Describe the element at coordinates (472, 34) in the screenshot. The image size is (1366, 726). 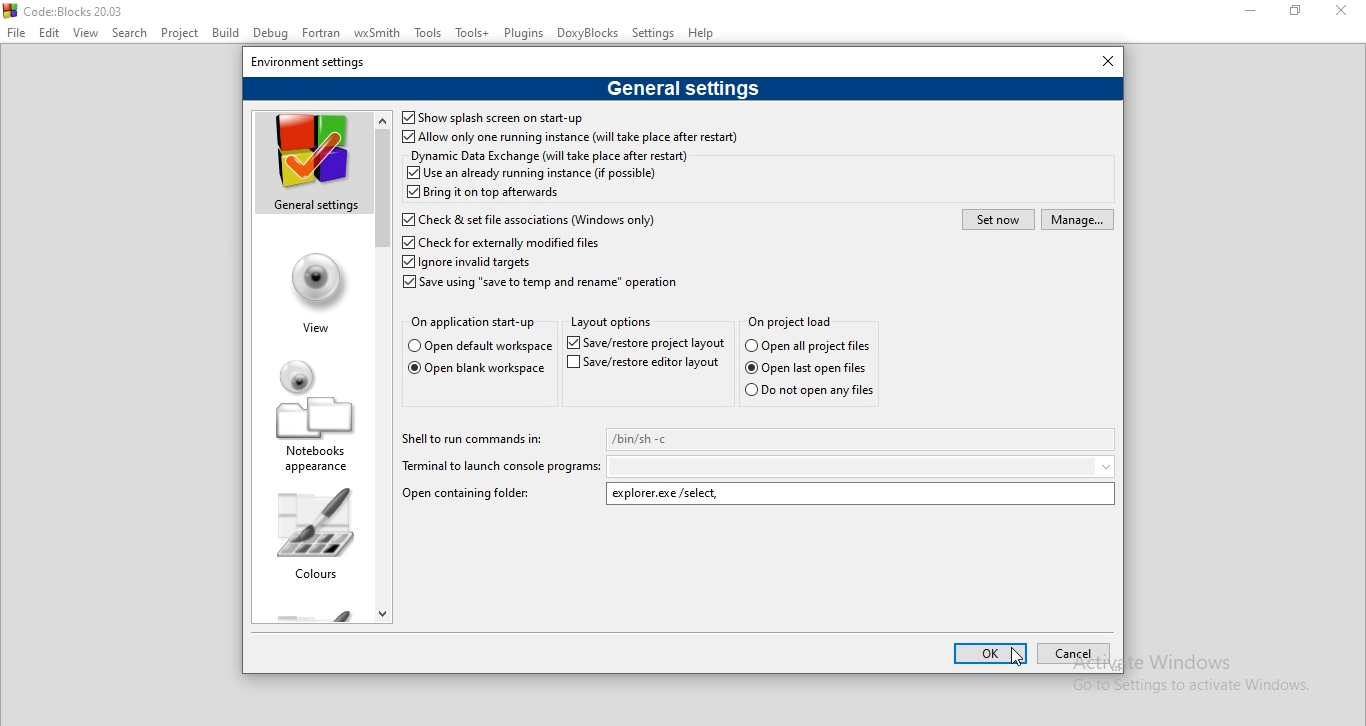
I see `Tools+` at that location.